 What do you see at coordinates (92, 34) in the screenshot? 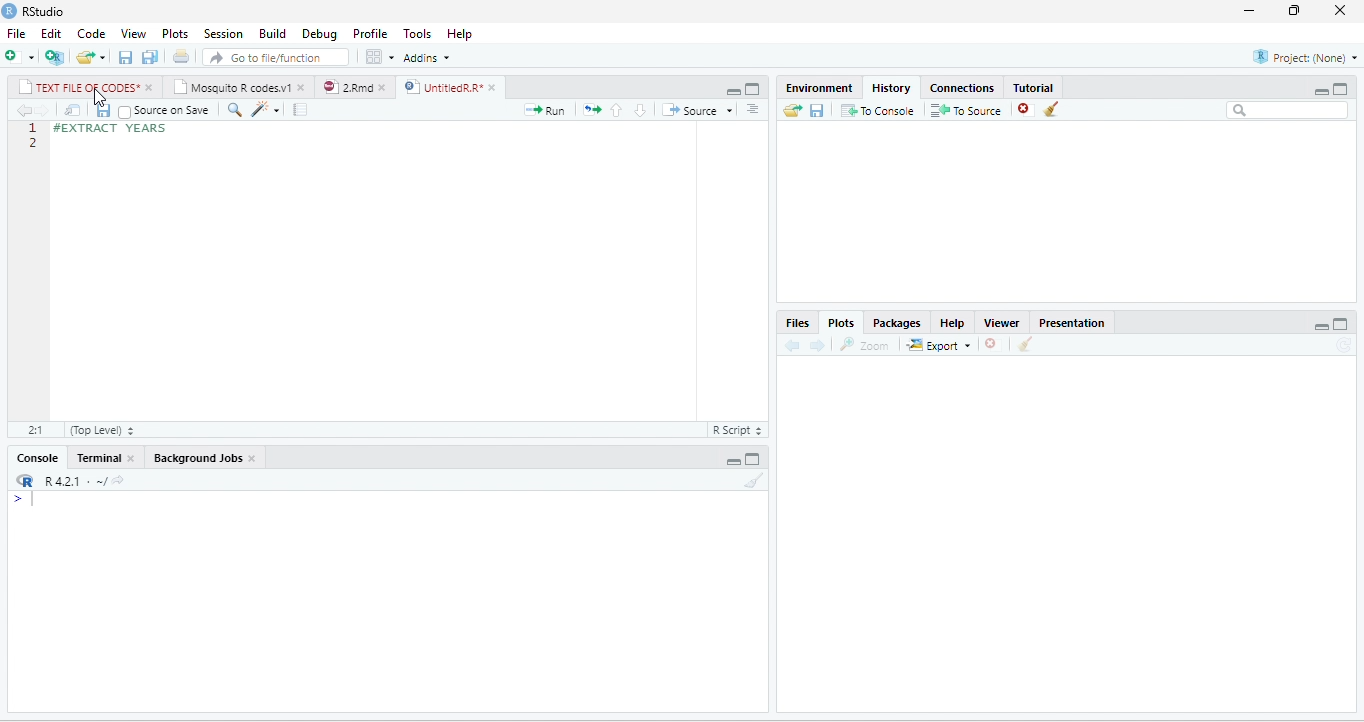
I see `Code` at bounding box center [92, 34].